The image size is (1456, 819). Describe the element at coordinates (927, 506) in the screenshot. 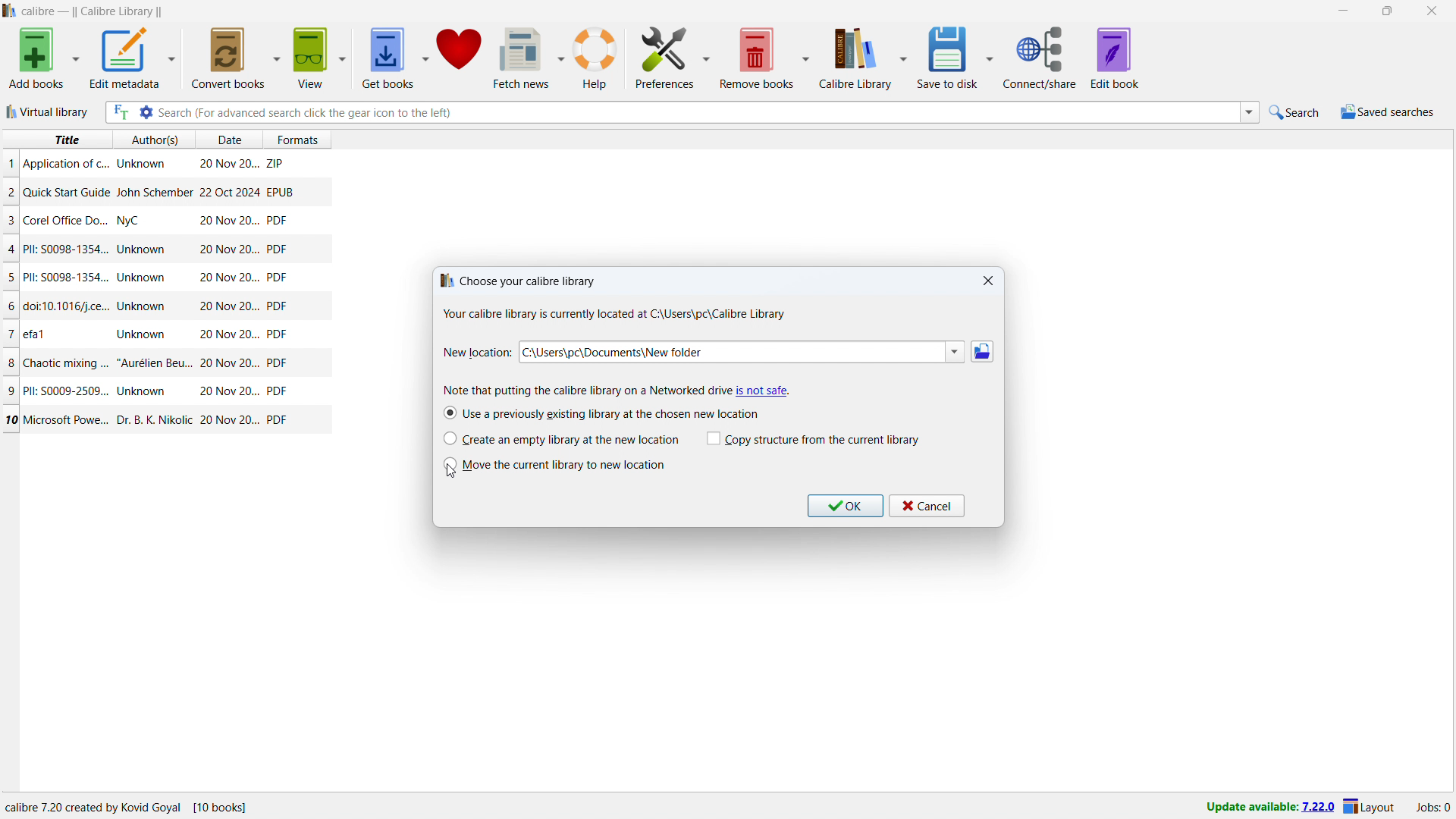

I see `cancel` at that location.